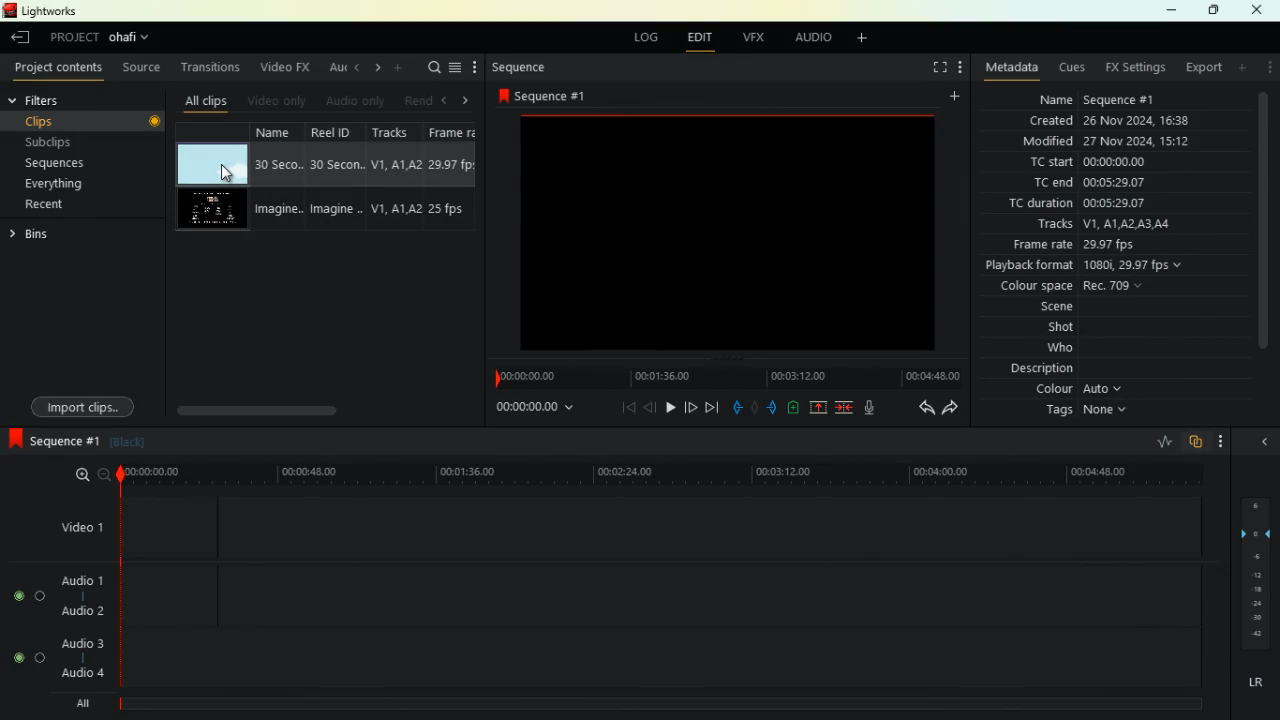 This screenshot has width=1280, height=720. I want to click on timeline, so click(719, 375).